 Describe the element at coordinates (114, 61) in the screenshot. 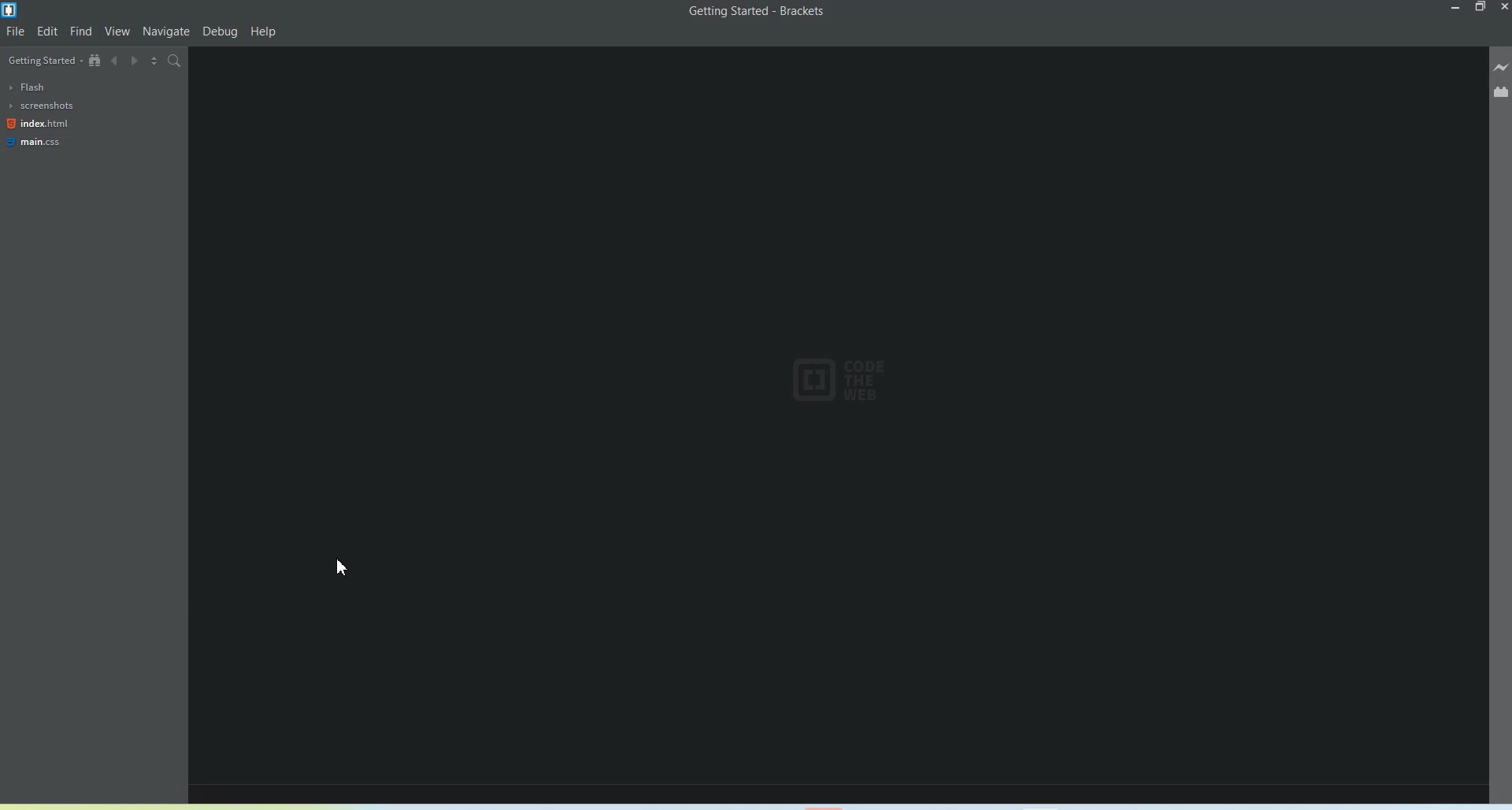

I see `Navigate Backward ` at that location.